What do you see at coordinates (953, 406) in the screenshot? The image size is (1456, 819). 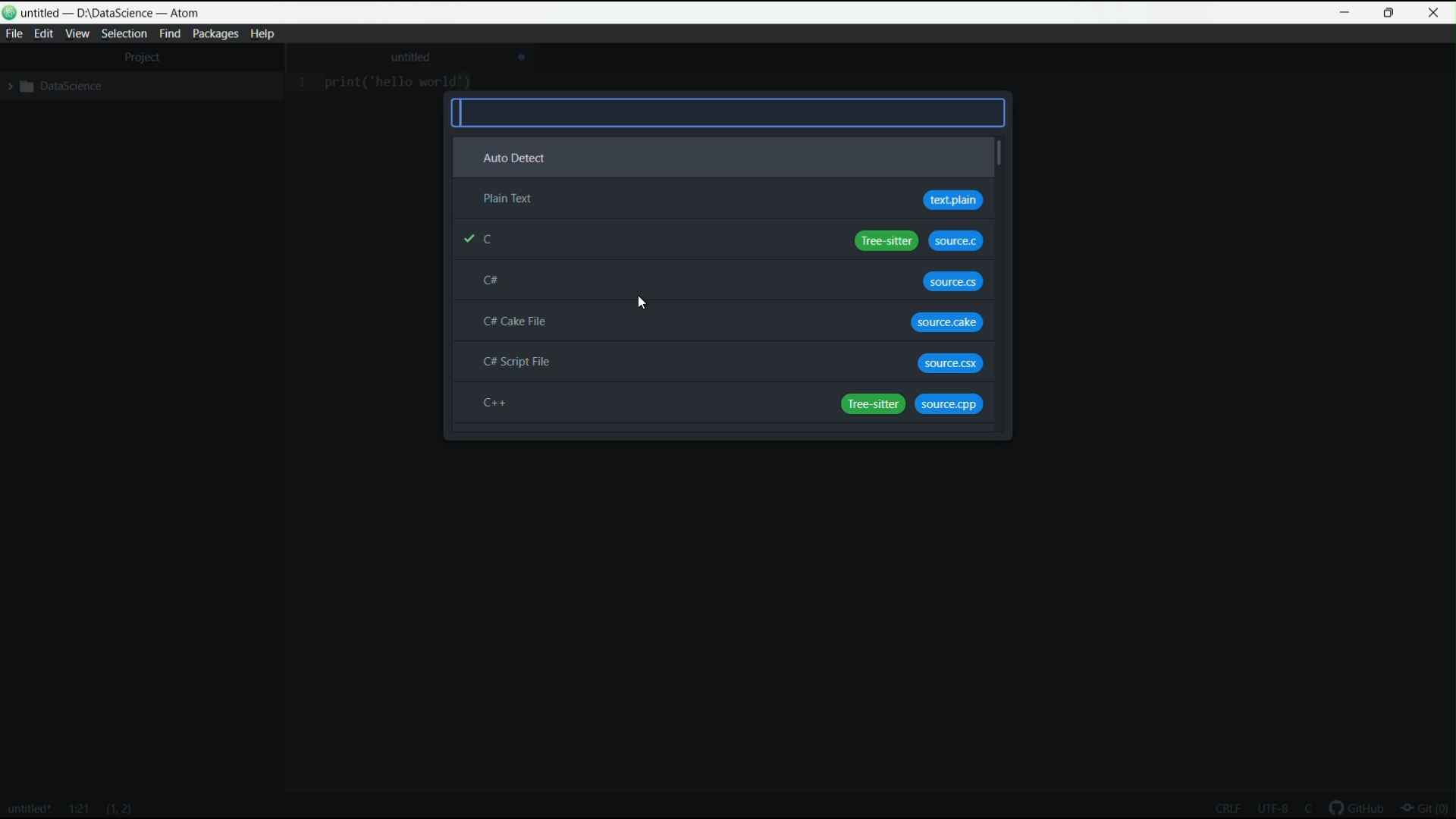 I see `source.cpp` at bounding box center [953, 406].